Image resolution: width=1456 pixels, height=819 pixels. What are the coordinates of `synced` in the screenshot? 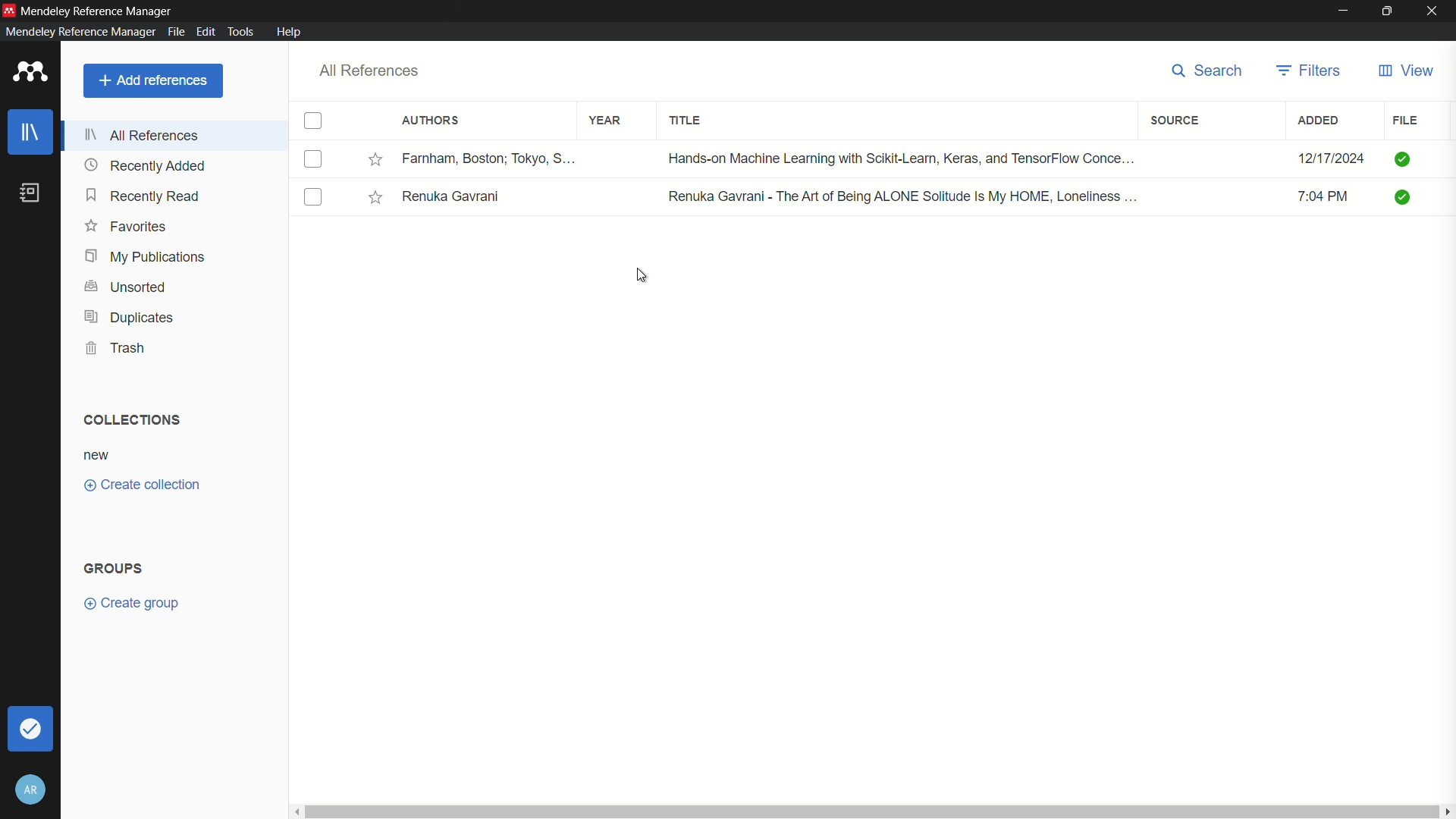 It's located at (30, 730).